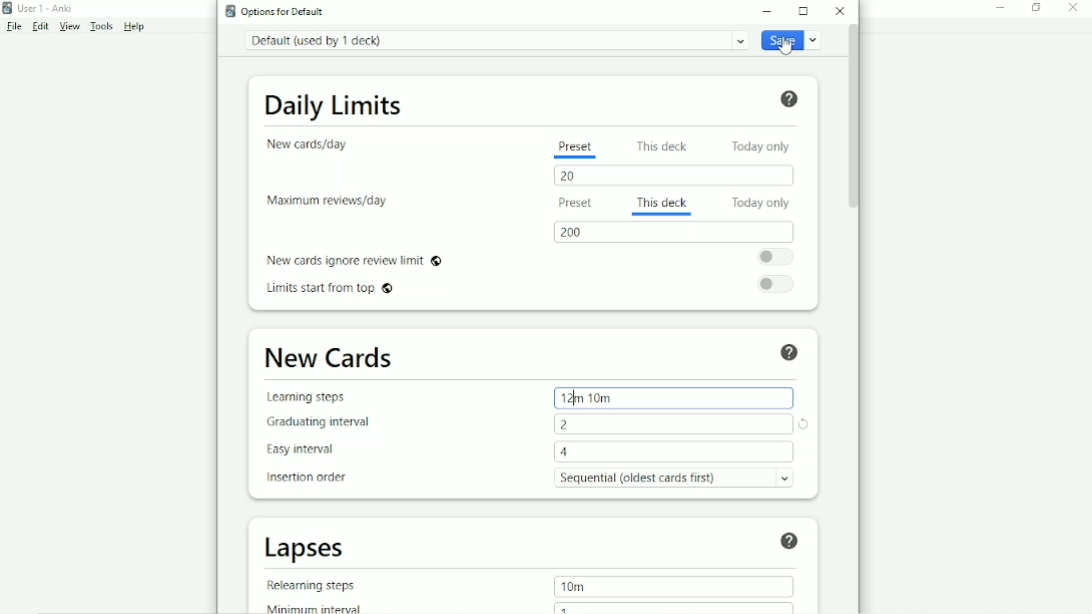 Image resolution: width=1092 pixels, height=614 pixels. What do you see at coordinates (330, 202) in the screenshot?
I see `Maximum reviews/day` at bounding box center [330, 202].